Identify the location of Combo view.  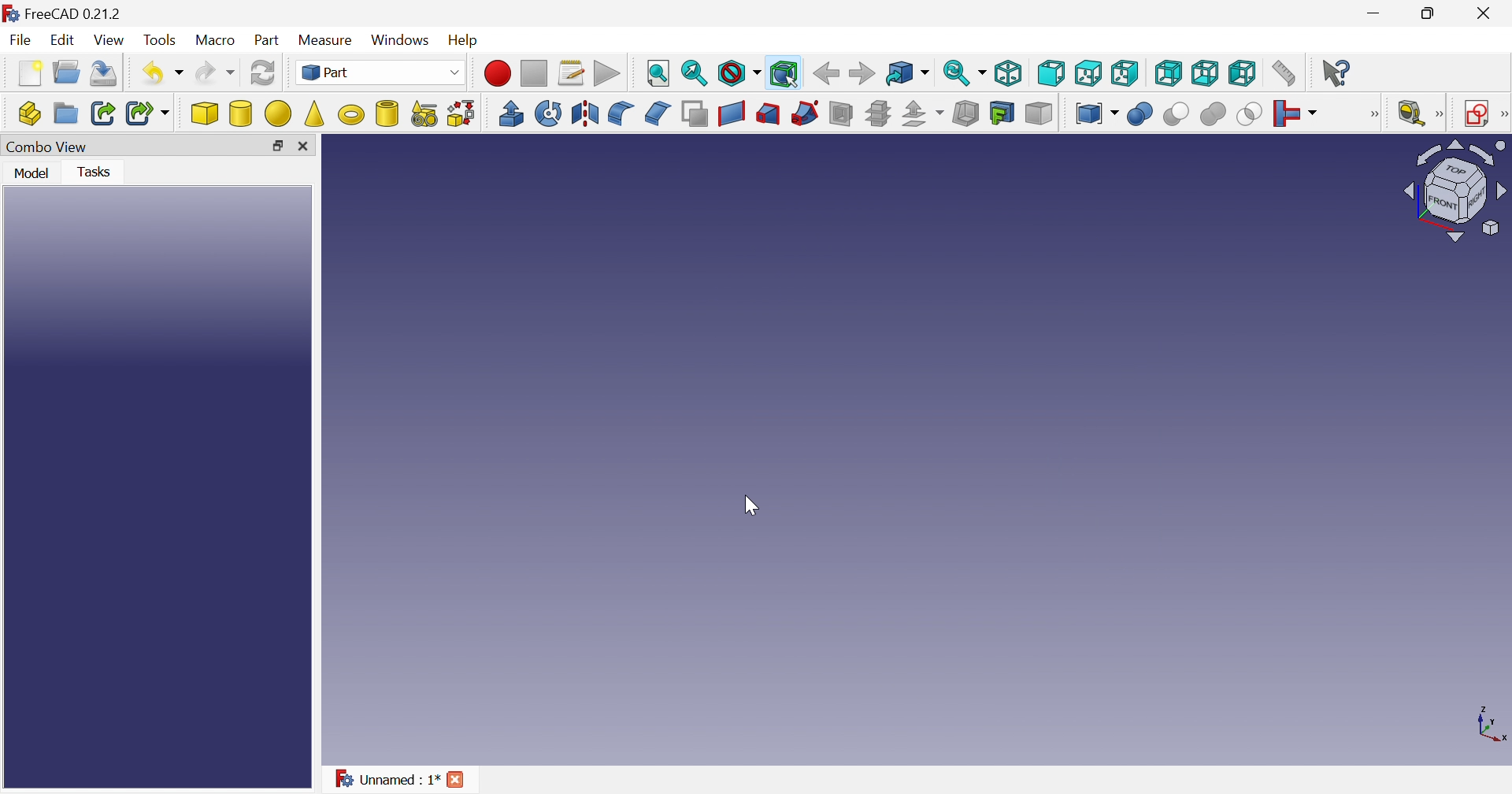
(49, 147).